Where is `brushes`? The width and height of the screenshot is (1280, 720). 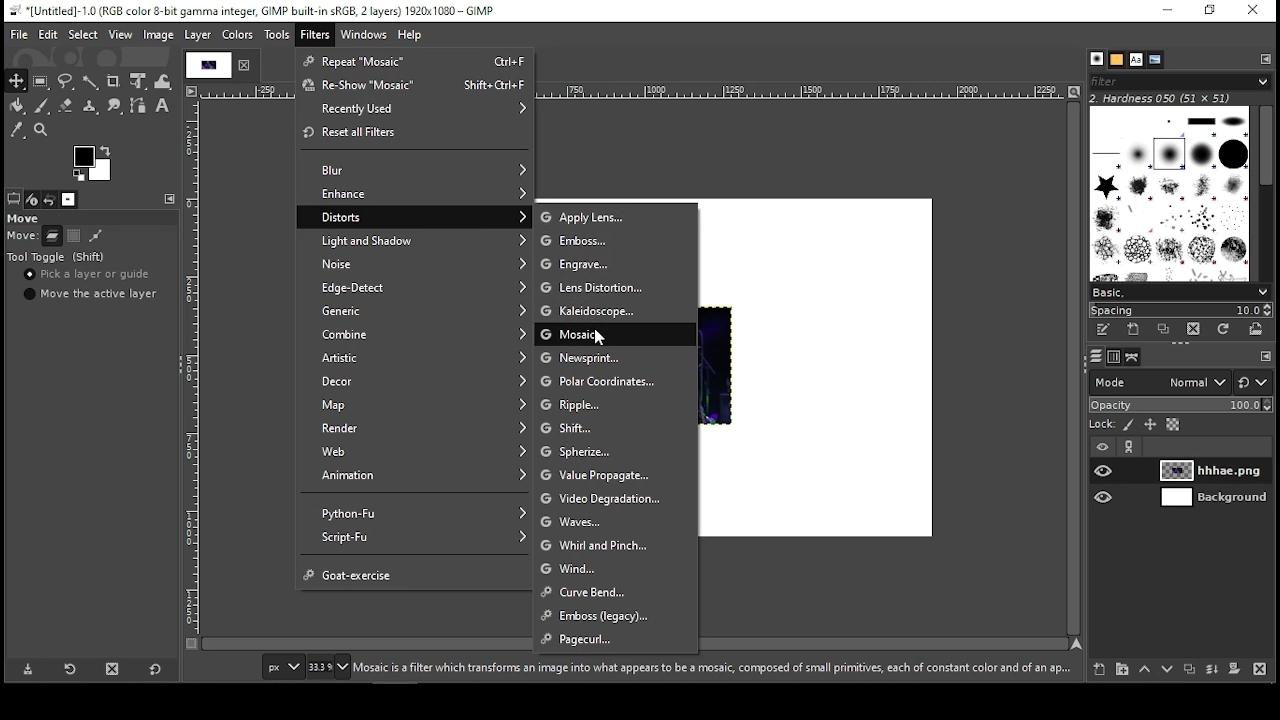
brushes is located at coordinates (1171, 193).